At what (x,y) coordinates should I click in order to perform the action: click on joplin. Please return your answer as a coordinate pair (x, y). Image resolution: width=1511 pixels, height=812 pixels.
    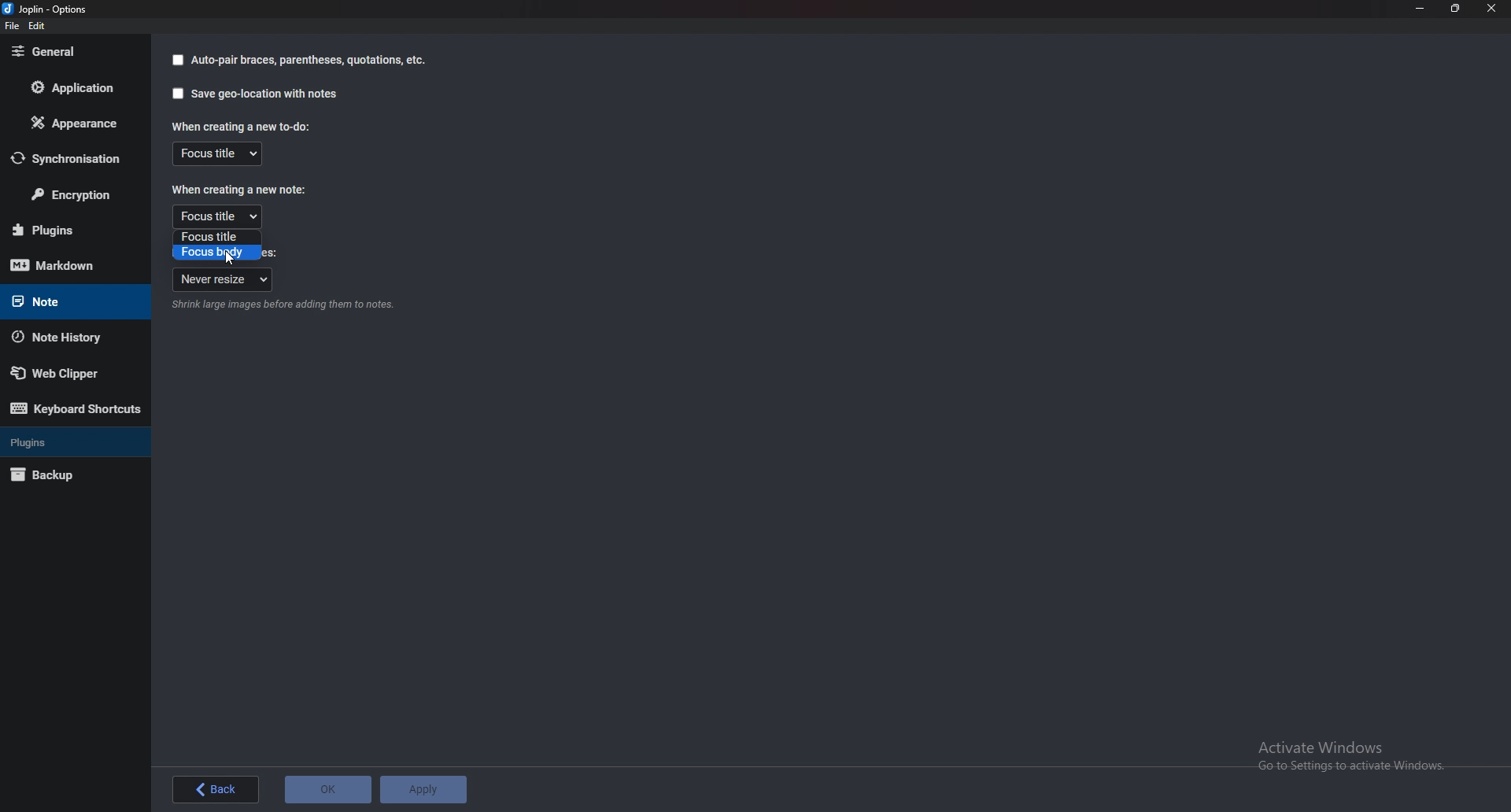
    Looking at the image, I should click on (47, 10).